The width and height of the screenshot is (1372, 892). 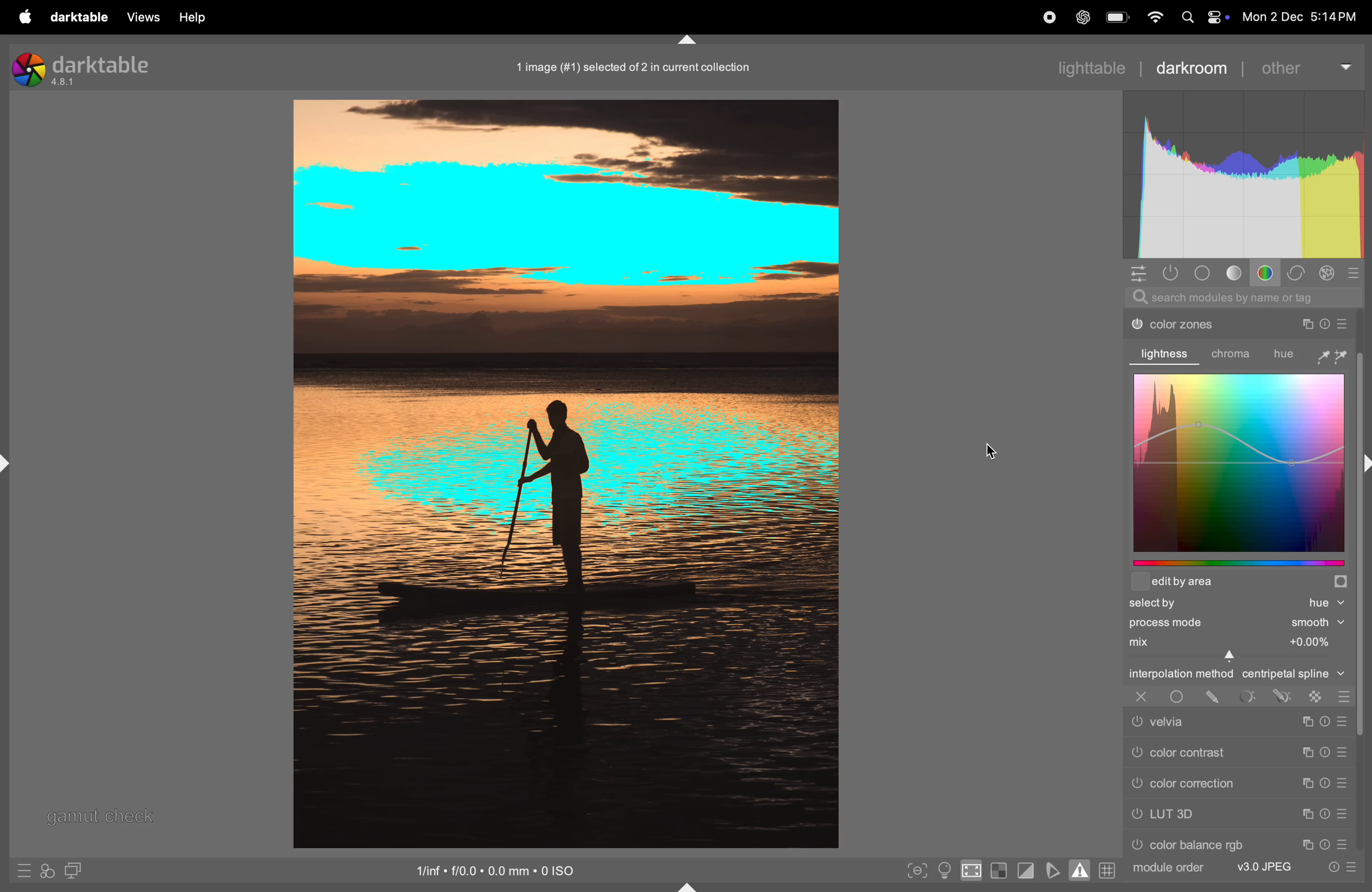 I want to click on preset, so click(x=1343, y=322).